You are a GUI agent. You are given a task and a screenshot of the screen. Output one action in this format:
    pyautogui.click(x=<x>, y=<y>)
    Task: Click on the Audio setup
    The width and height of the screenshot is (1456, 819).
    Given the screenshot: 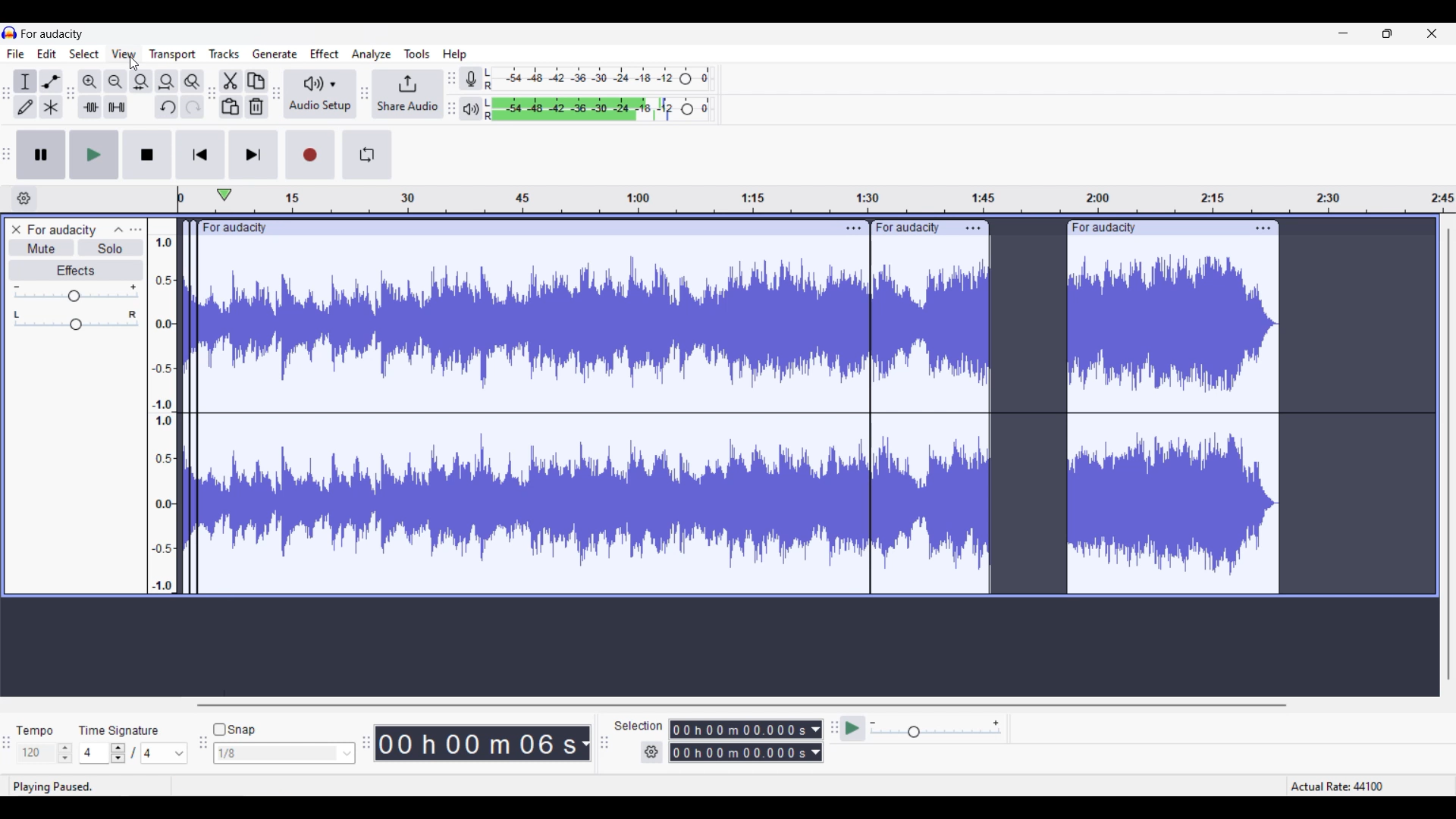 What is the action you would take?
    pyautogui.click(x=322, y=94)
    